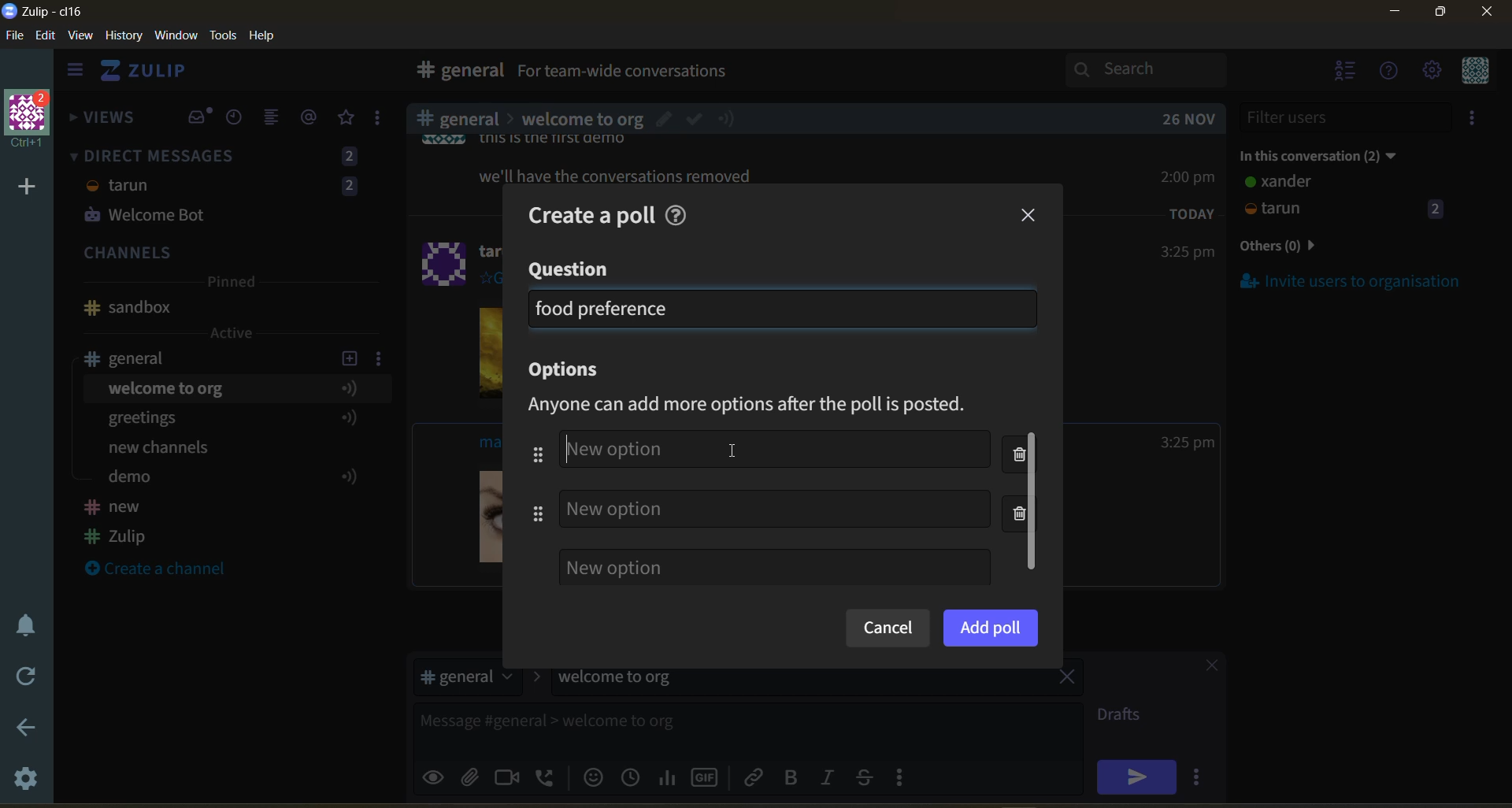 This screenshot has width=1512, height=808. I want to click on channel name, so click(136, 358).